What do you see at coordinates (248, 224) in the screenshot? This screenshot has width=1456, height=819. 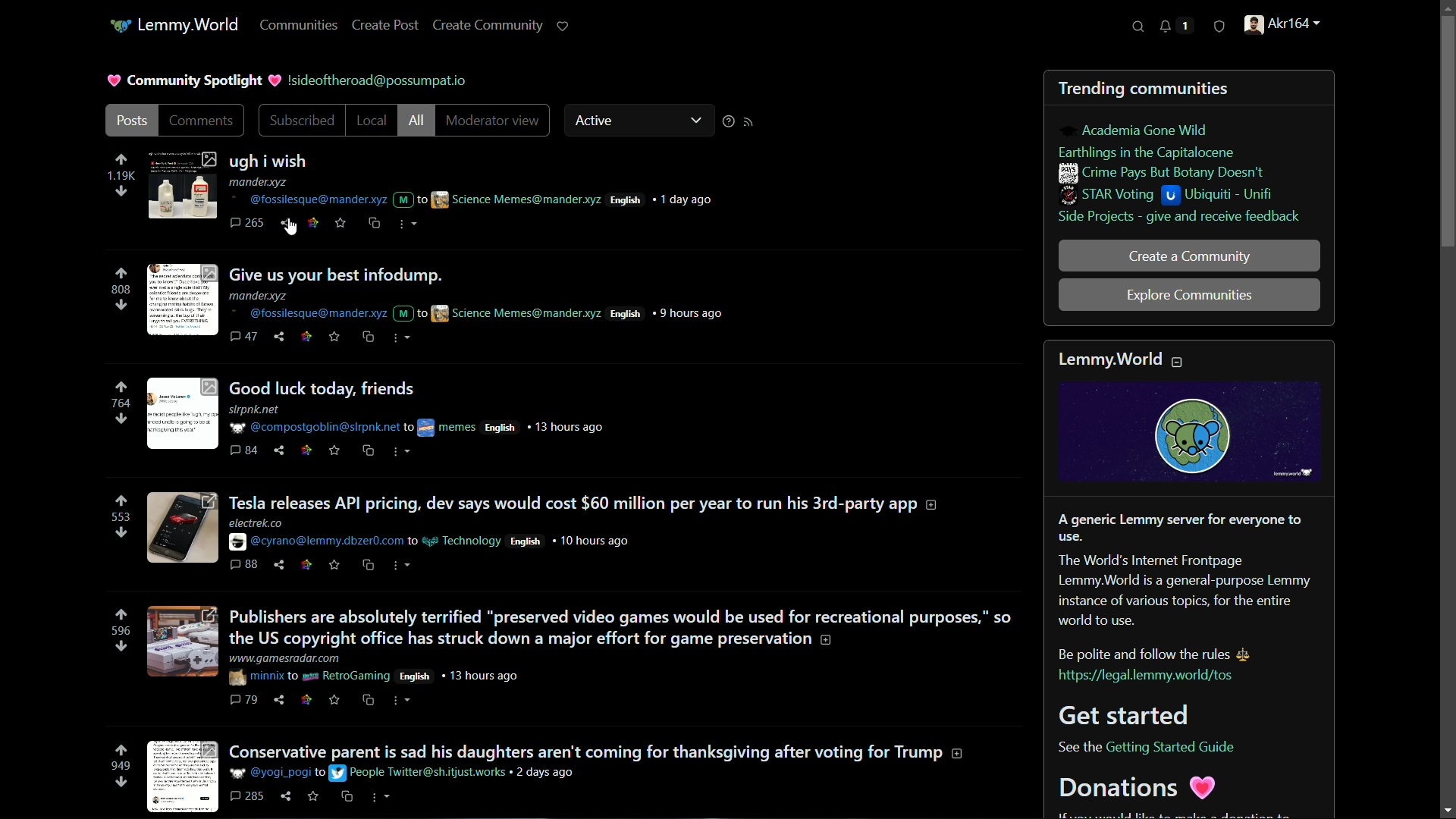 I see `265 comments` at bounding box center [248, 224].